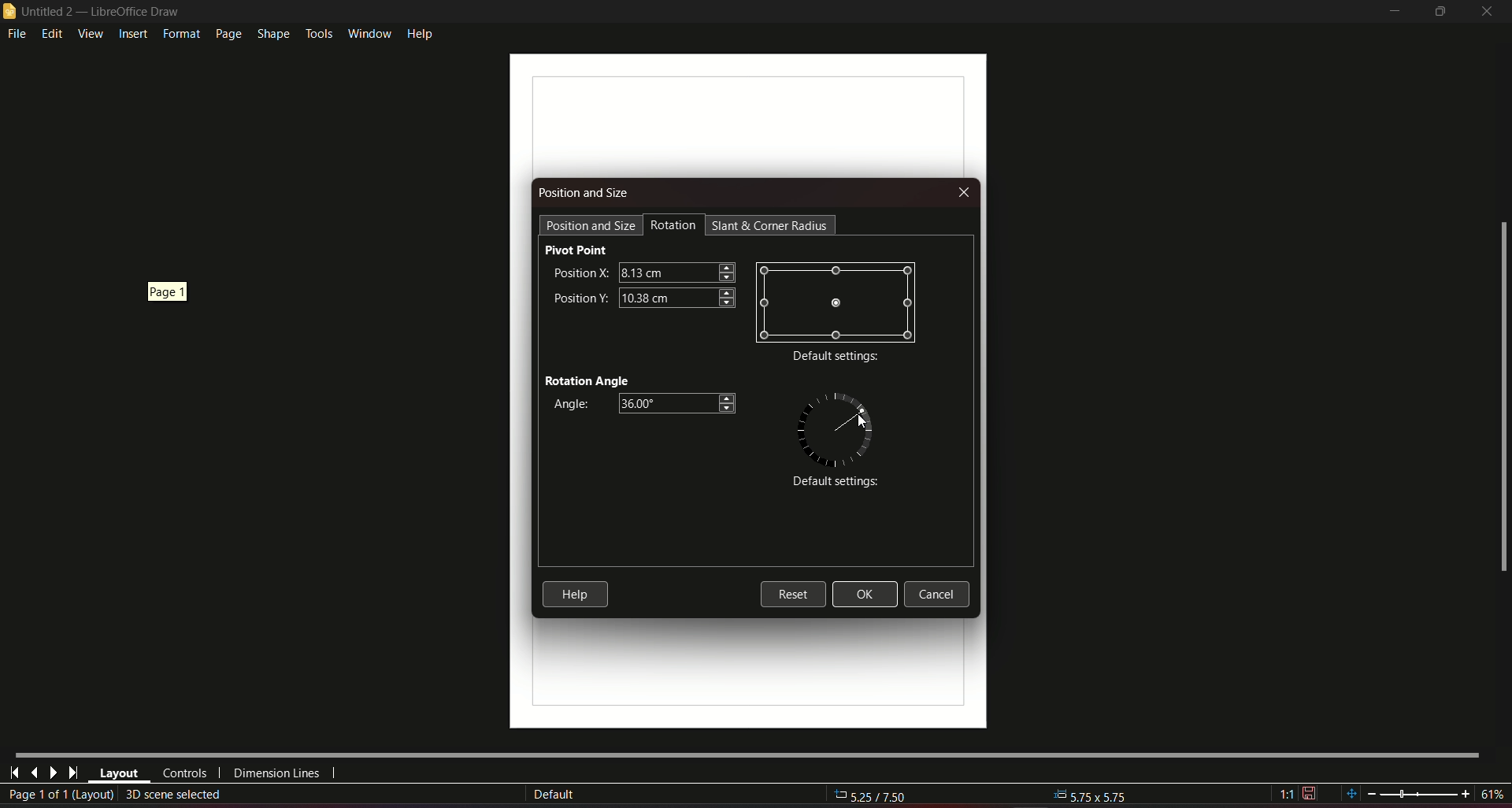 The width and height of the screenshot is (1512, 808). I want to click on dimension lines, so click(277, 776).